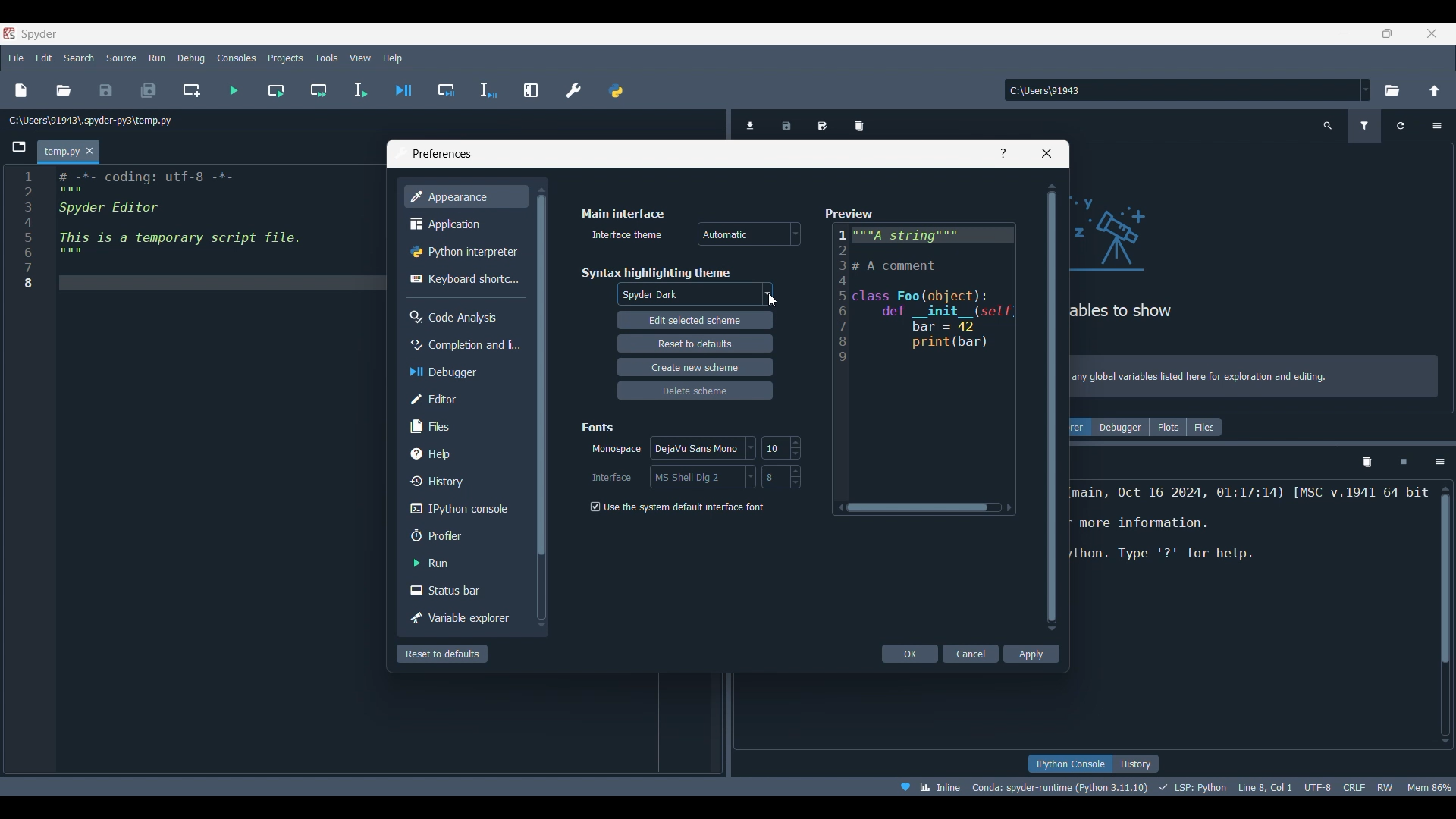  What do you see at coordinates (599, 427) in the screenshot?
I see `Section title` at bounding box center [599, 427].